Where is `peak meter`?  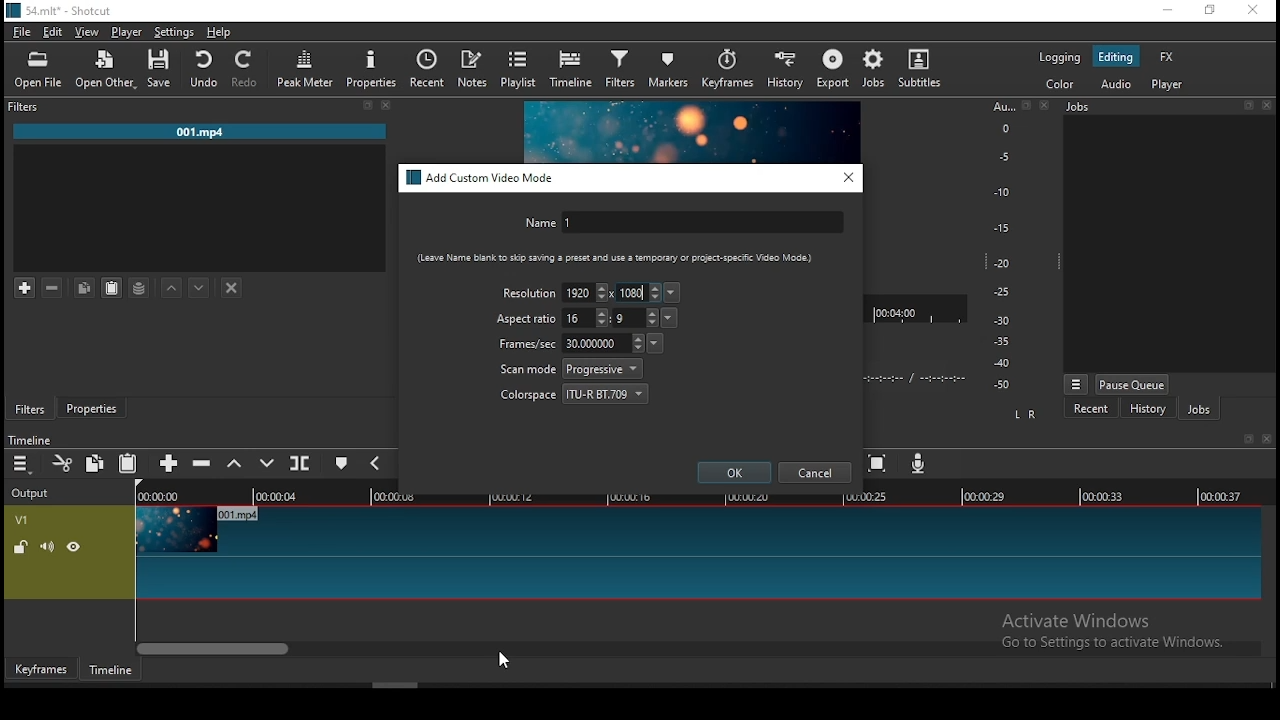
peak meter is located at coordinates (305, 69).